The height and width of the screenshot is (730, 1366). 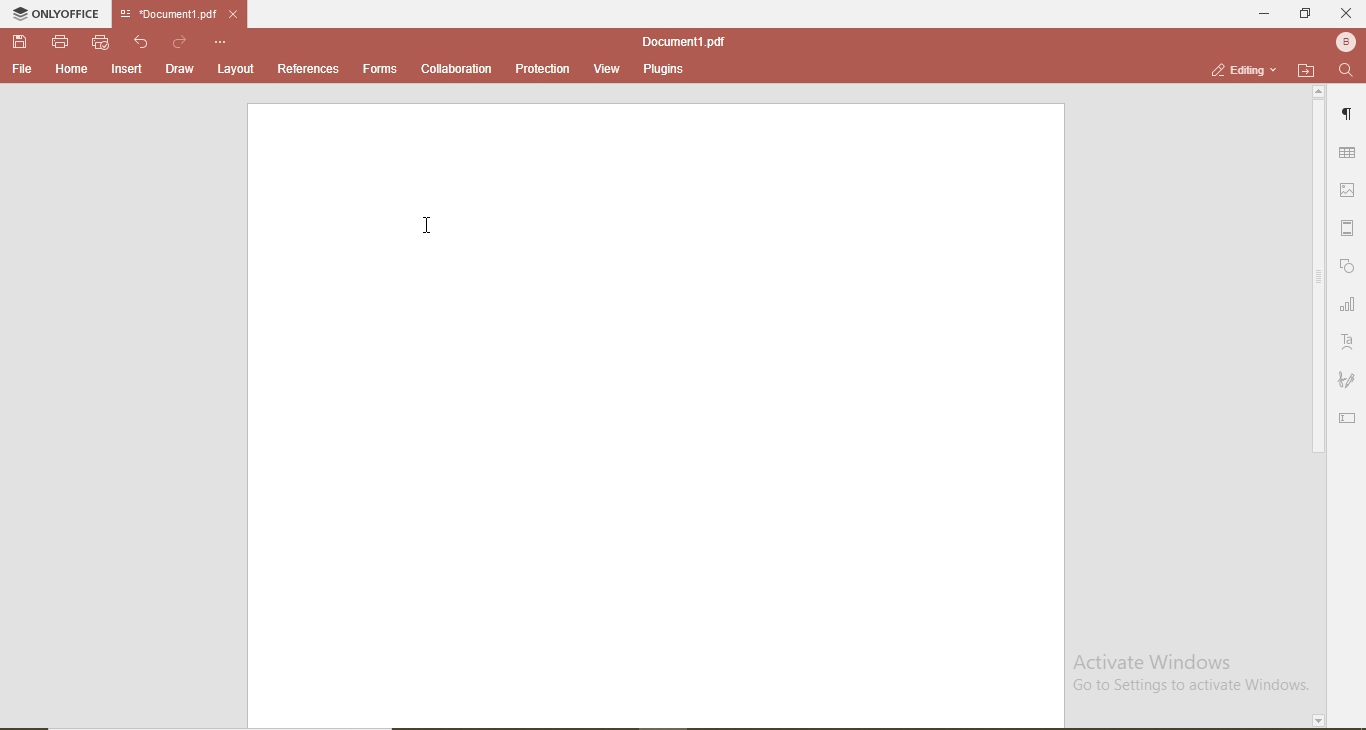 What do you see at coordinates (73, 70) in the screenshot?
I see `home` at bounding box center [73, 70].